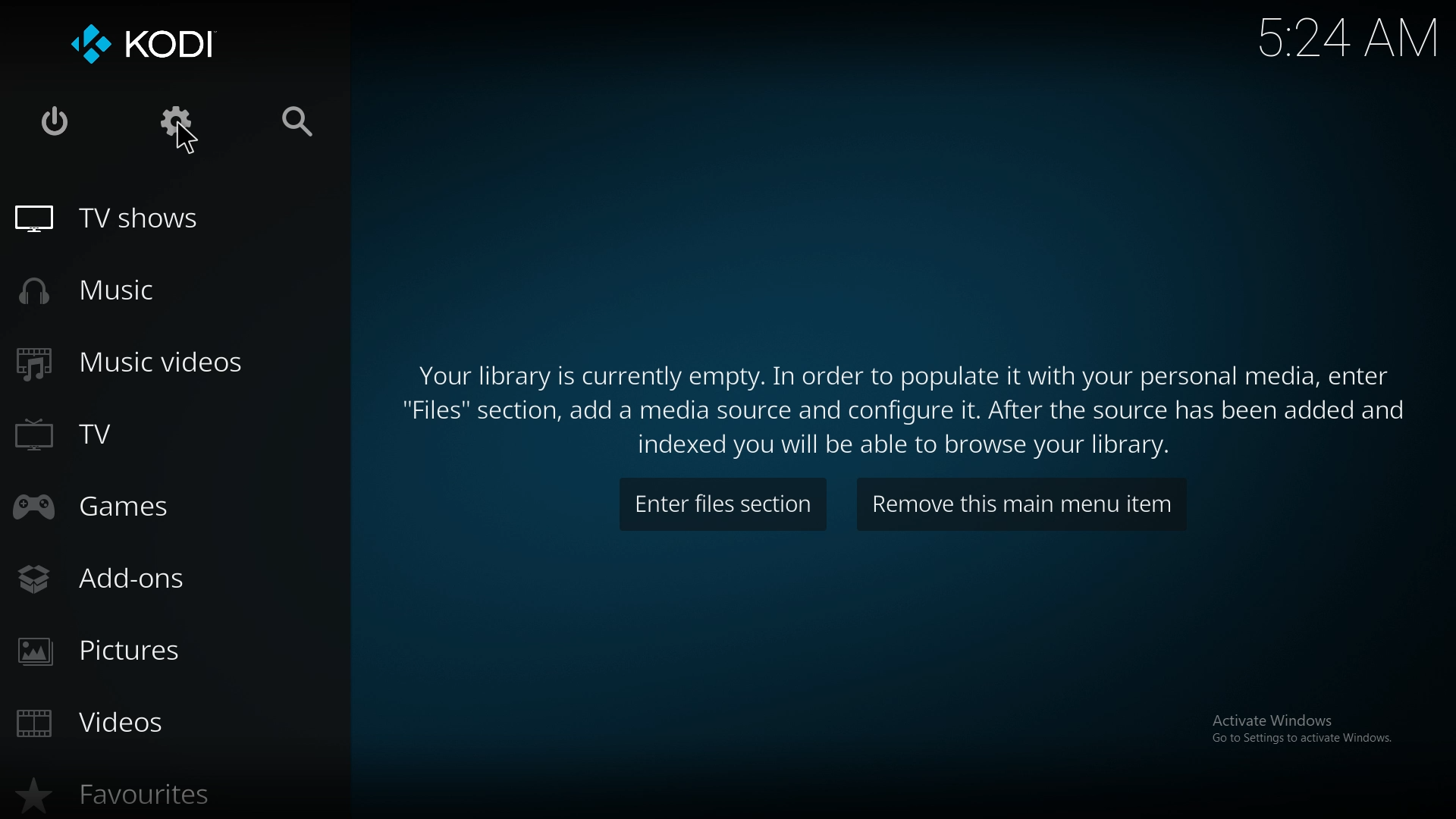 This screenshot has height=819, width=1456. Describe the element at coordinates (723, 504) in the screenshot. I see `enter files section` at that location.